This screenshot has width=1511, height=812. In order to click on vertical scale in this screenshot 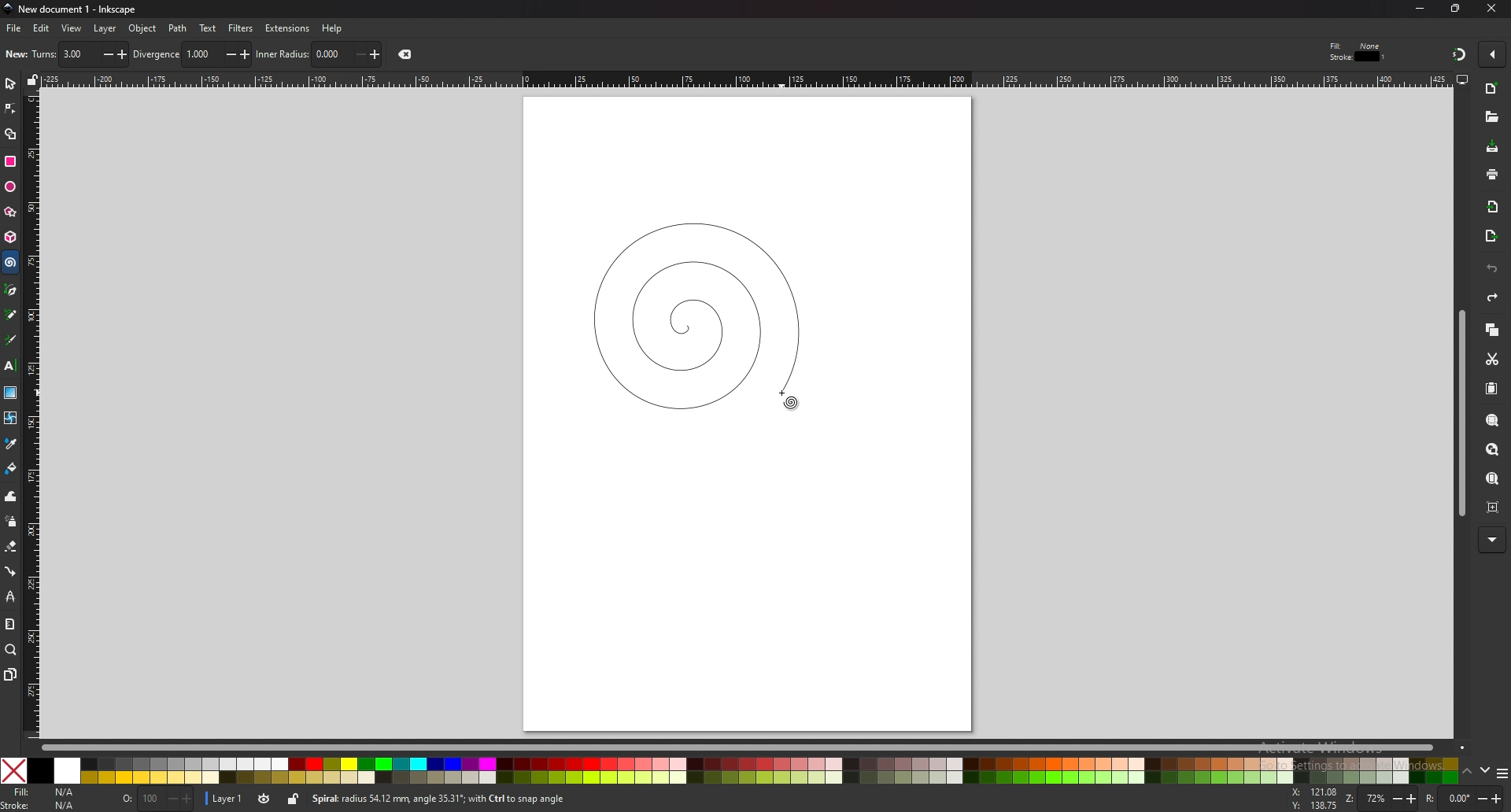, I will do `click(31, 414)`.